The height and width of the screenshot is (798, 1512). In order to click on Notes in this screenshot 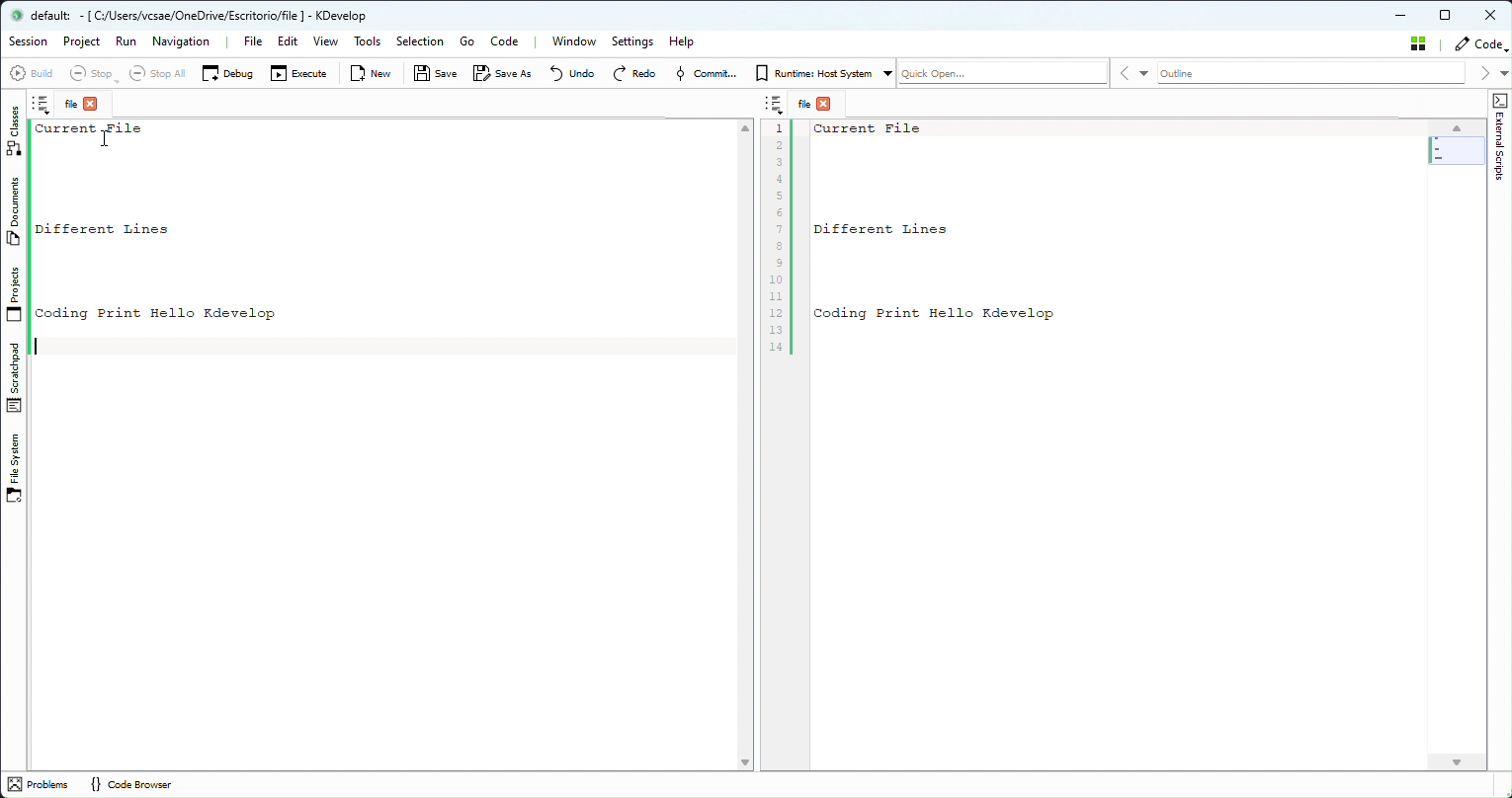, I will do `click(773, 105)`.